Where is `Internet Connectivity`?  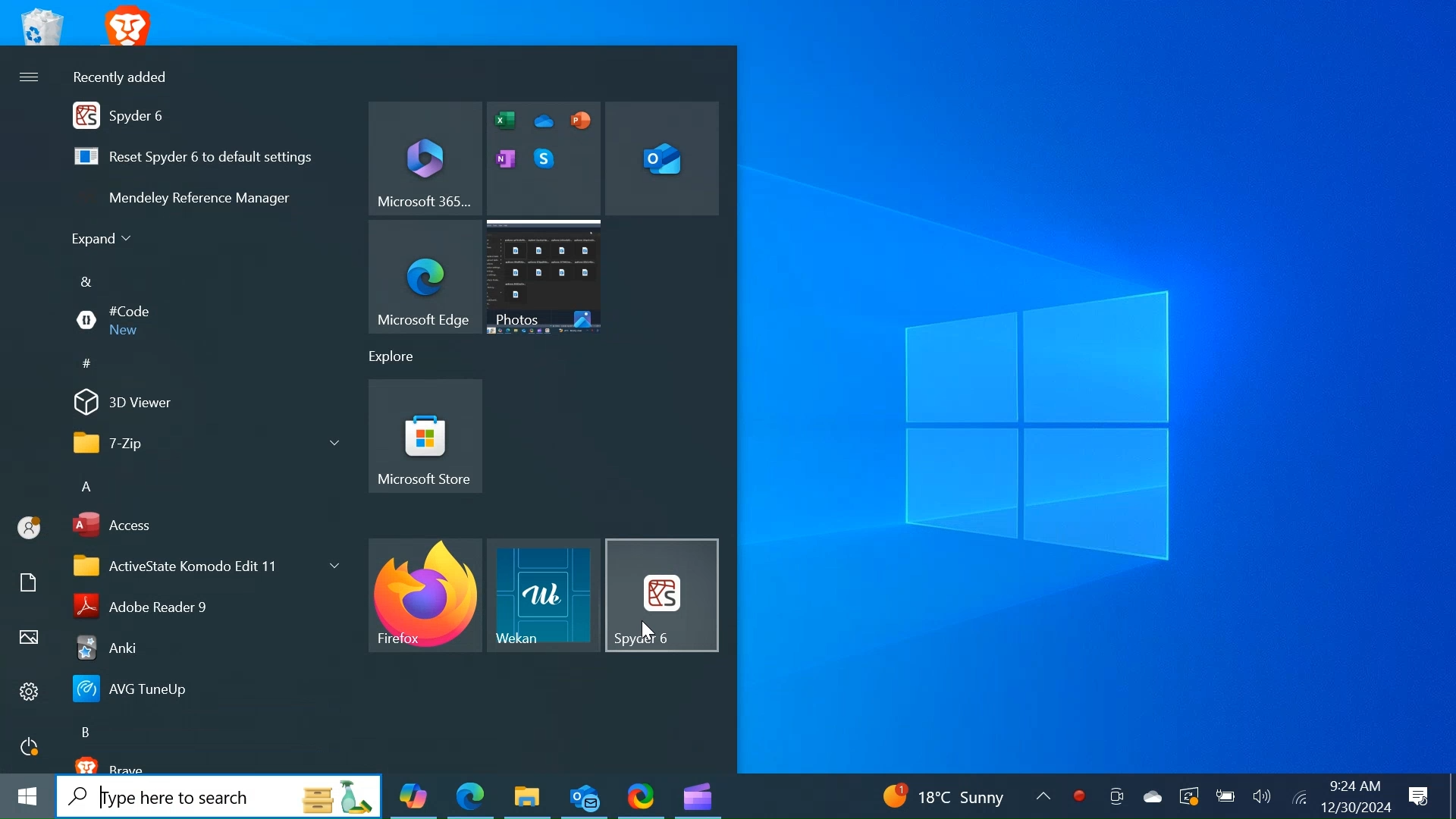 Internet Connectivity is located at coordinates (1299, 796).